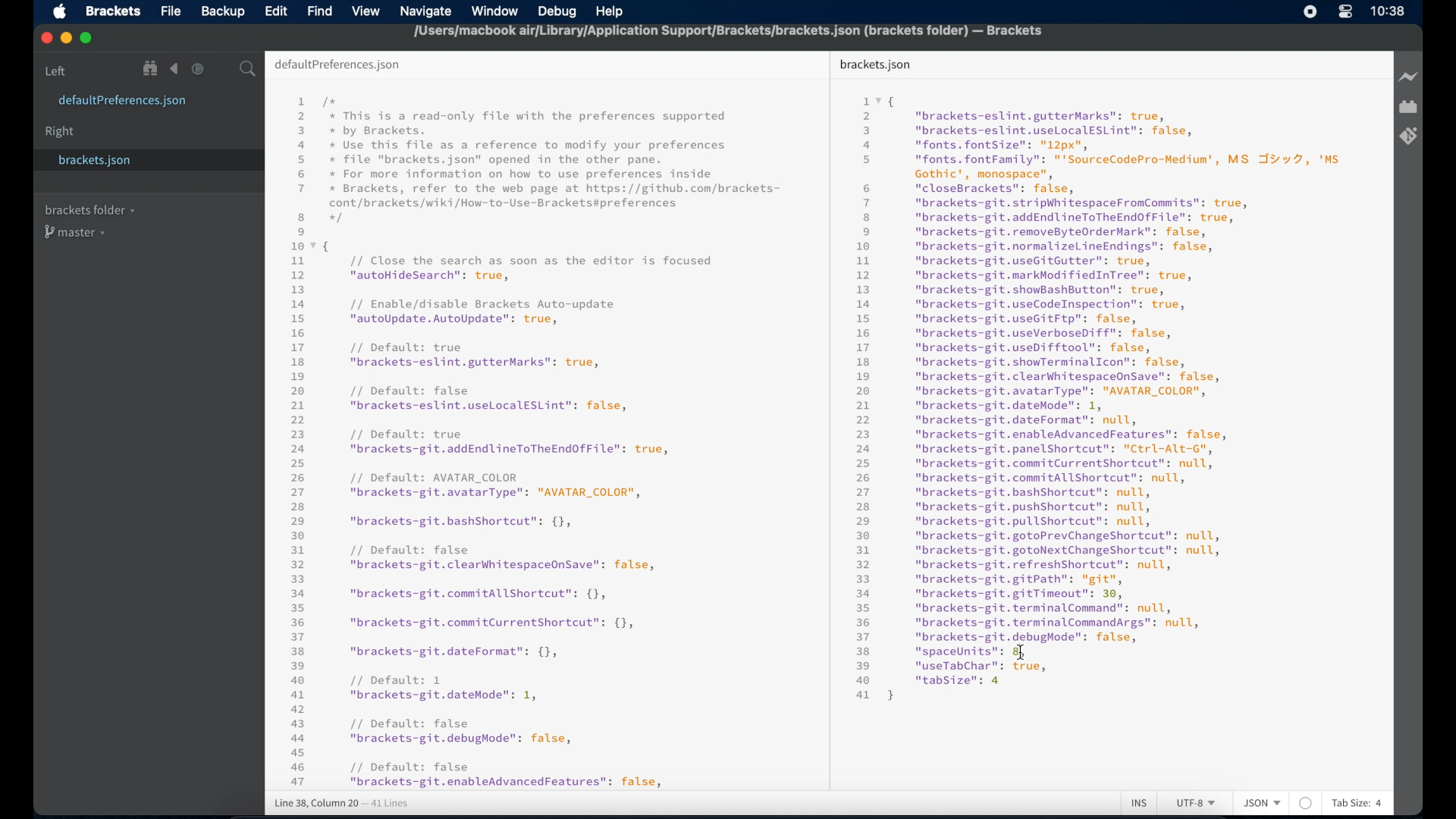 The width and height of the screenshot is (1456, 819). I want to click on no linter available for json, so click(1308, 801).